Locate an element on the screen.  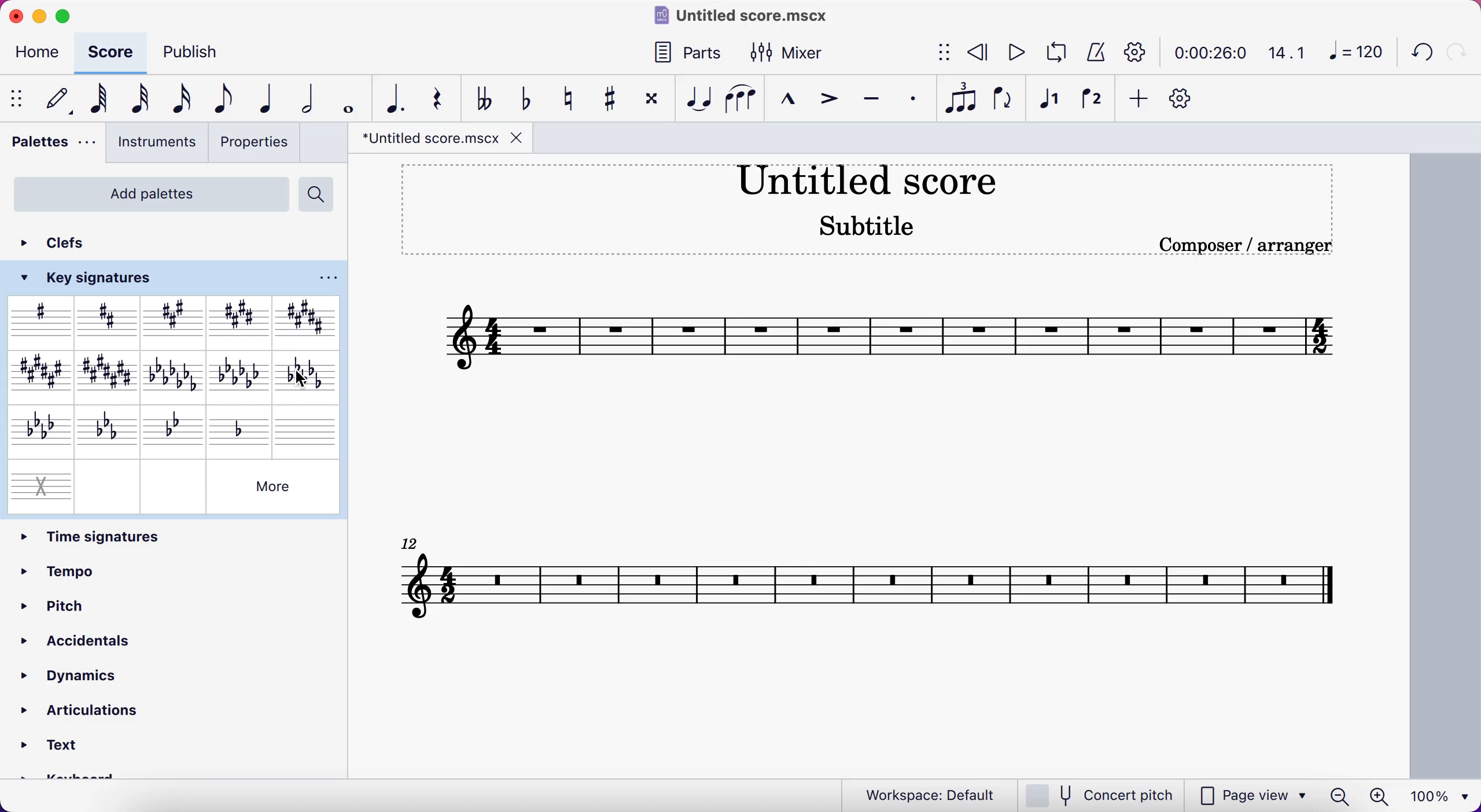
dynamics is located at coordinates (91, 672).